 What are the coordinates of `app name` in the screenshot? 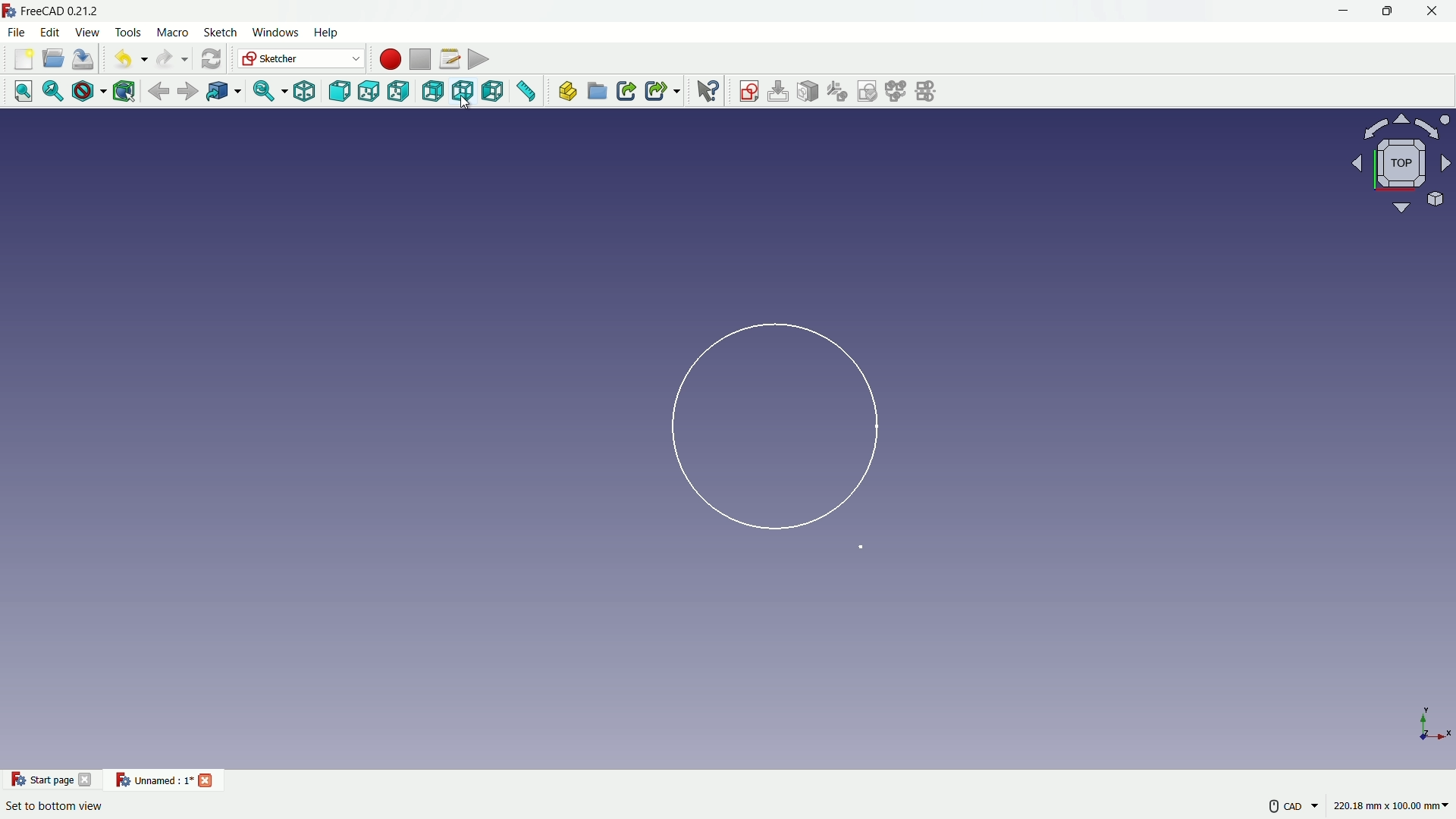 It's located at (52, 12).